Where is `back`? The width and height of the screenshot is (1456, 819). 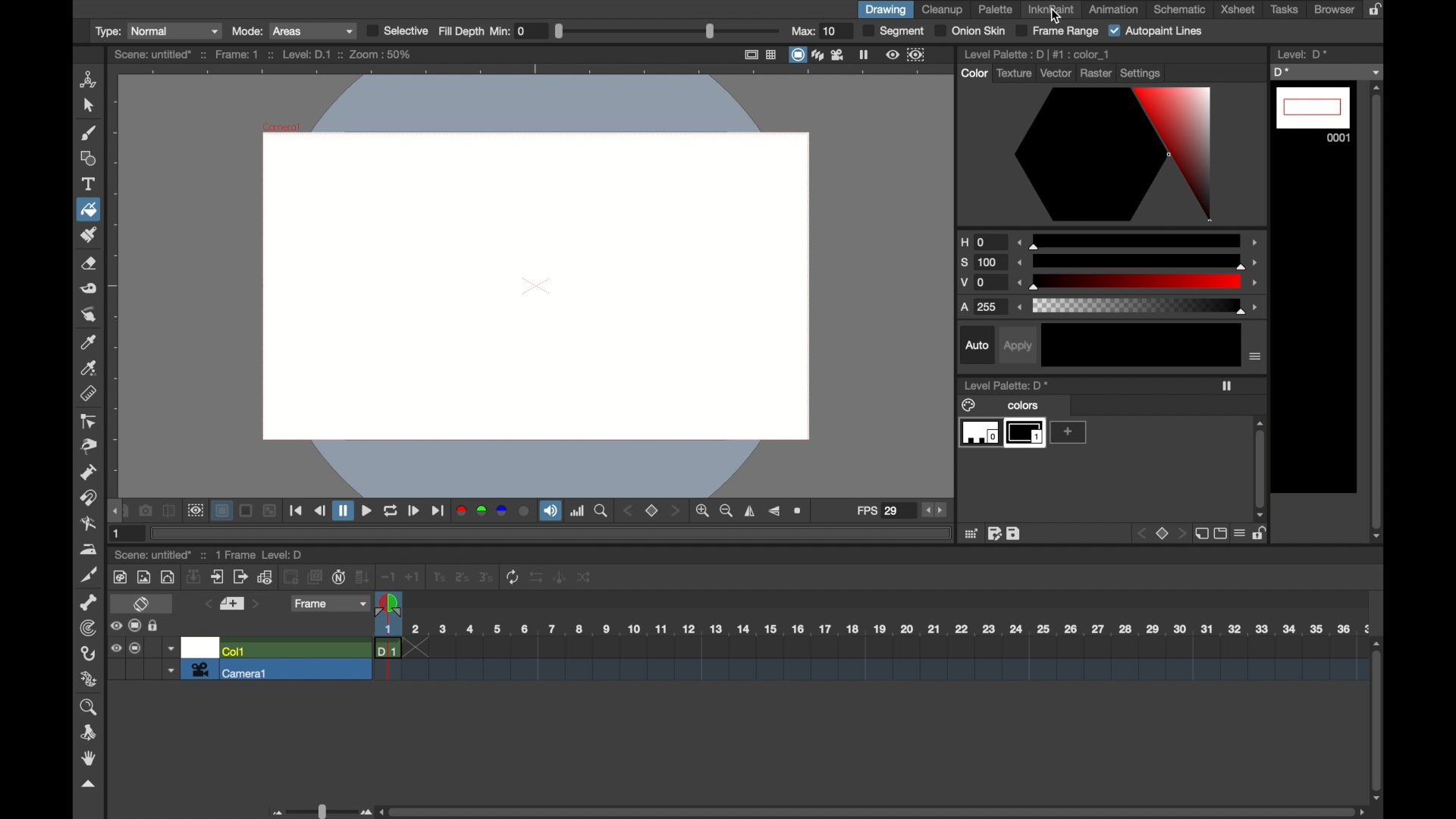
back is located at coordinates (321, 511).